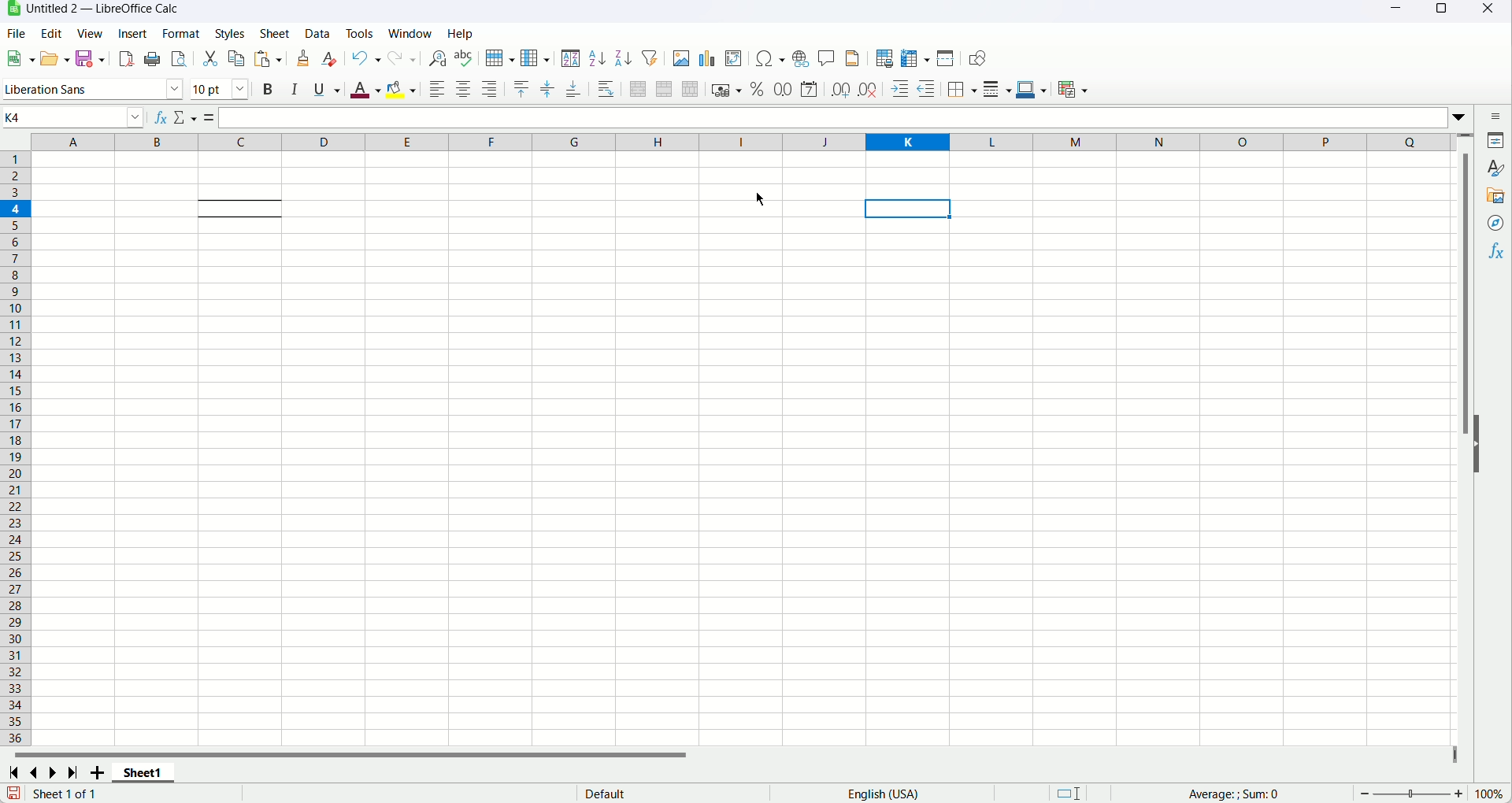 Image resolution: width=1512 pixels, height=803 pixels. What do you see at coordinates (238, 208) in the screenshot?
I see `Cell with top and bottom border` at bounding box center [238, 208].